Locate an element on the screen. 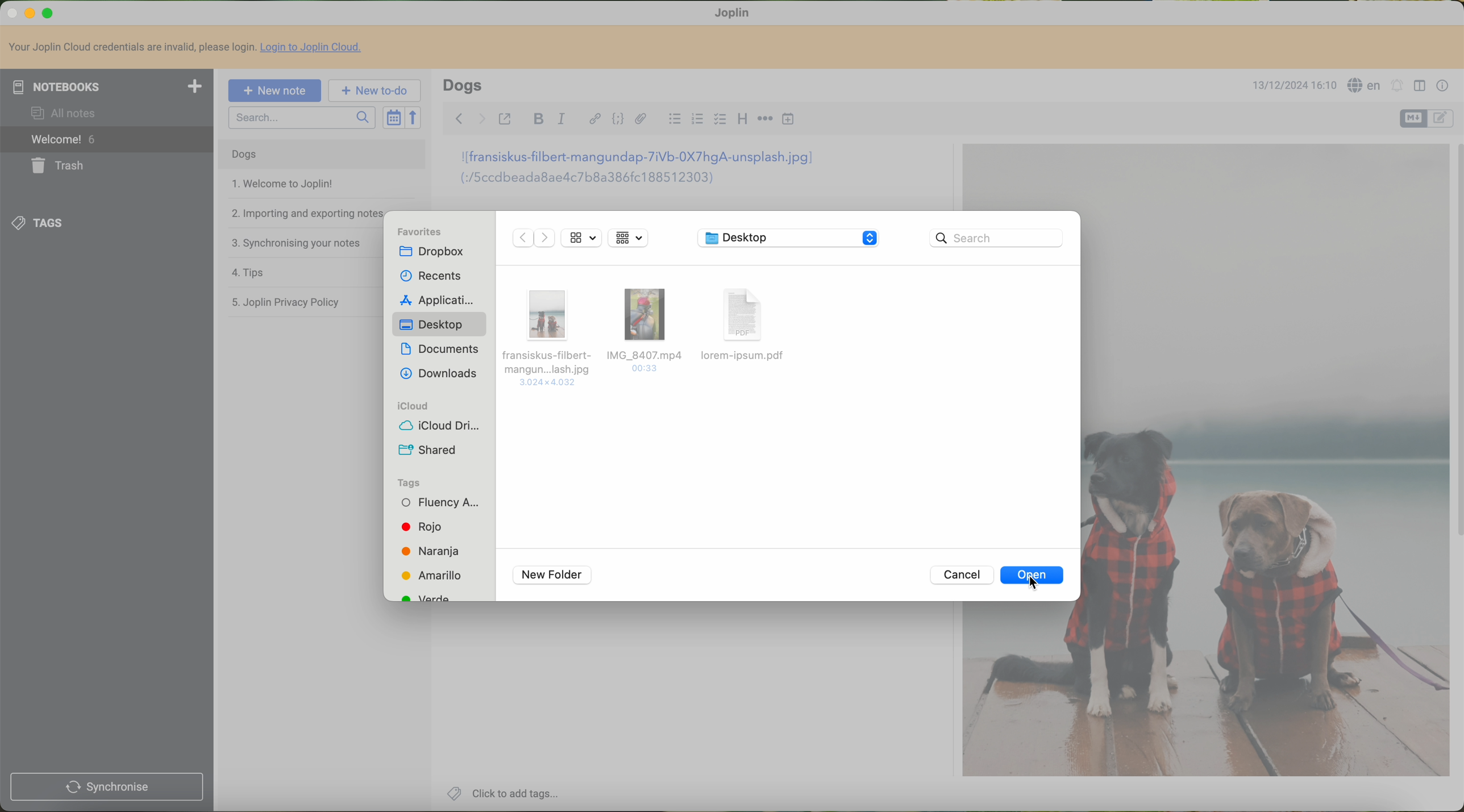 The image size is (1464, 812). open is located at coordinates (1034, 576).